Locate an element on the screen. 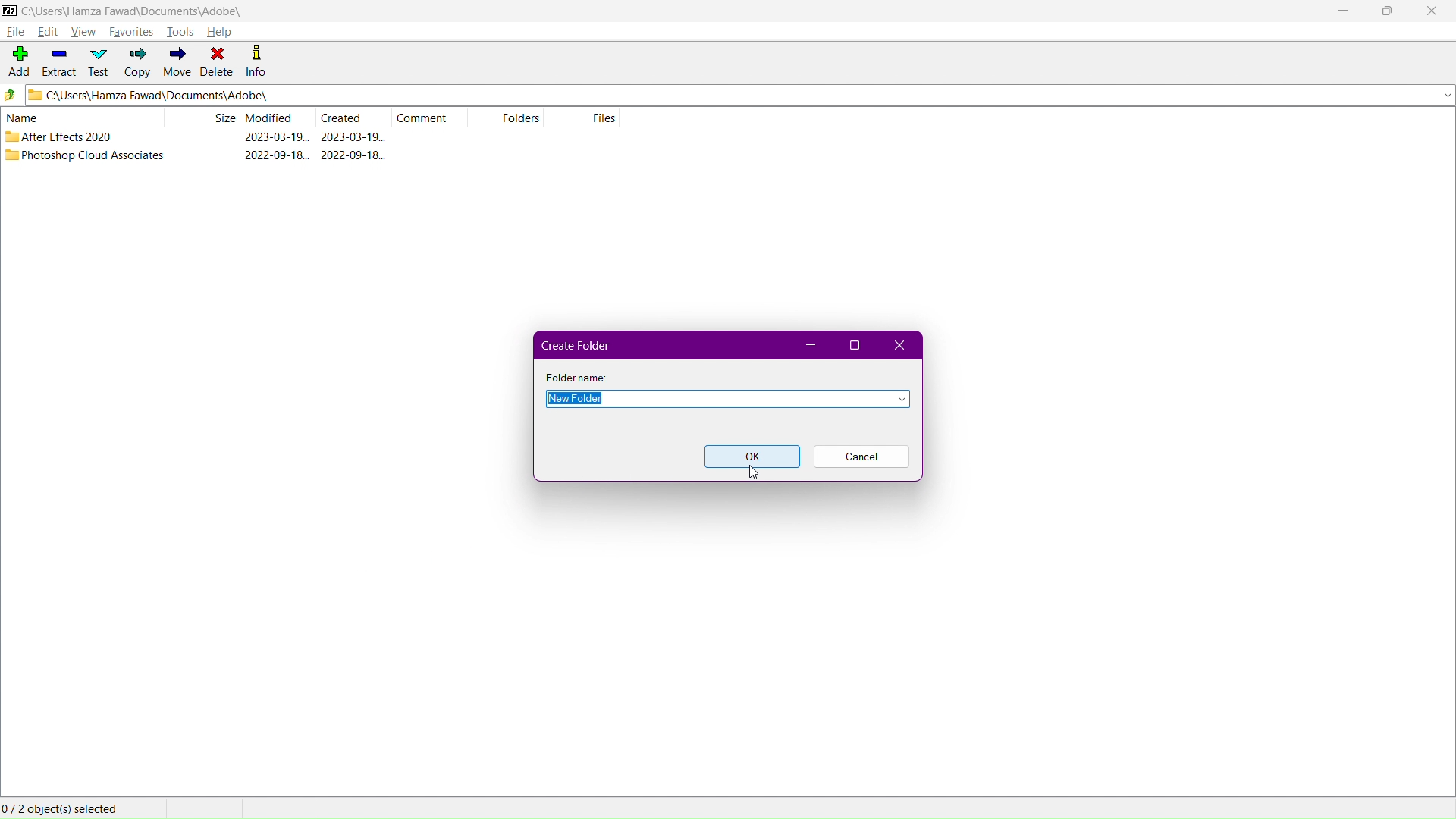  Objects selected is located at coordinates (65, 808).